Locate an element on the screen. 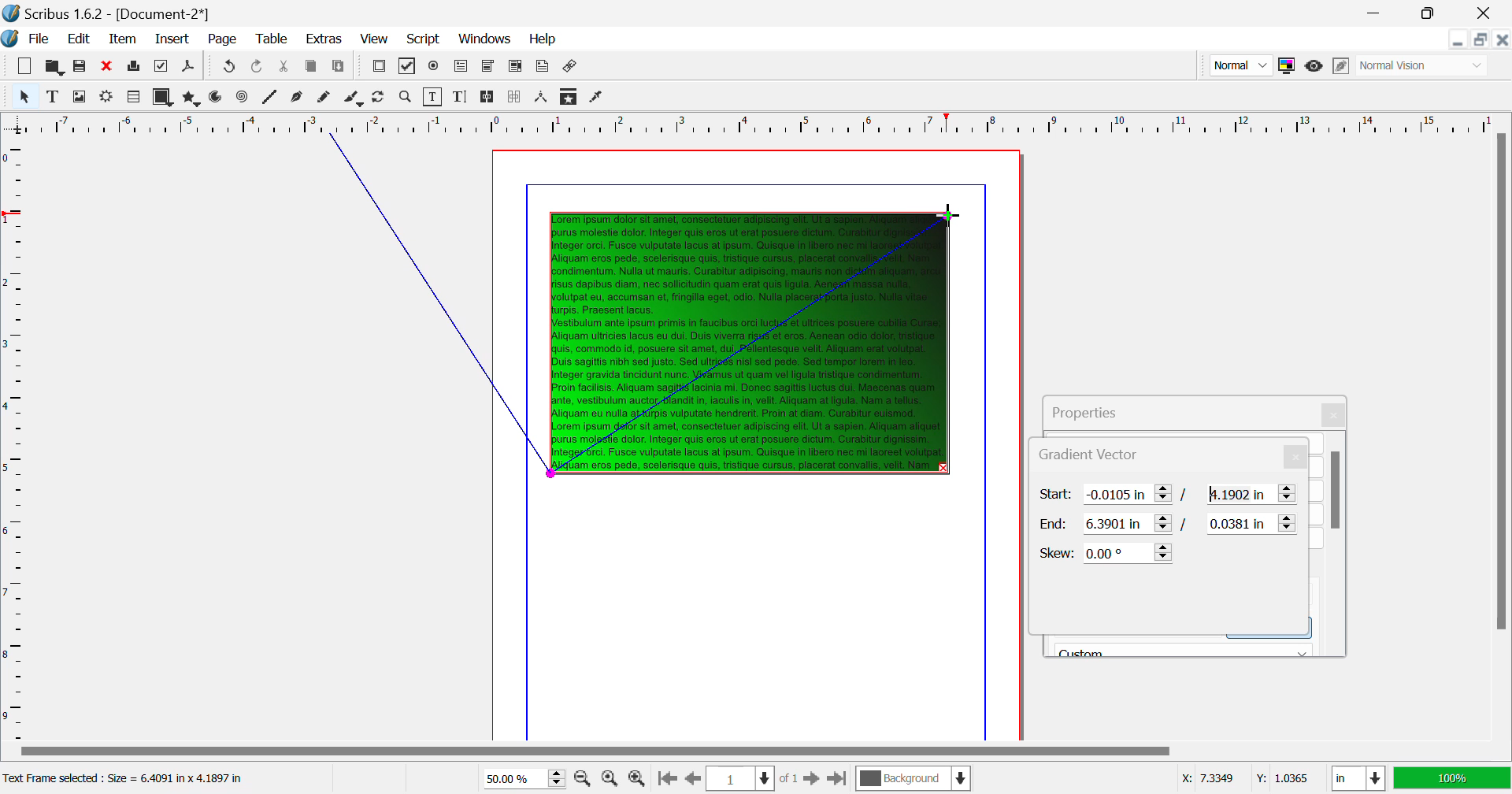 The width and height of the screenshot is (1512, 794). Text Annotation is located at coordinates (542, 68).